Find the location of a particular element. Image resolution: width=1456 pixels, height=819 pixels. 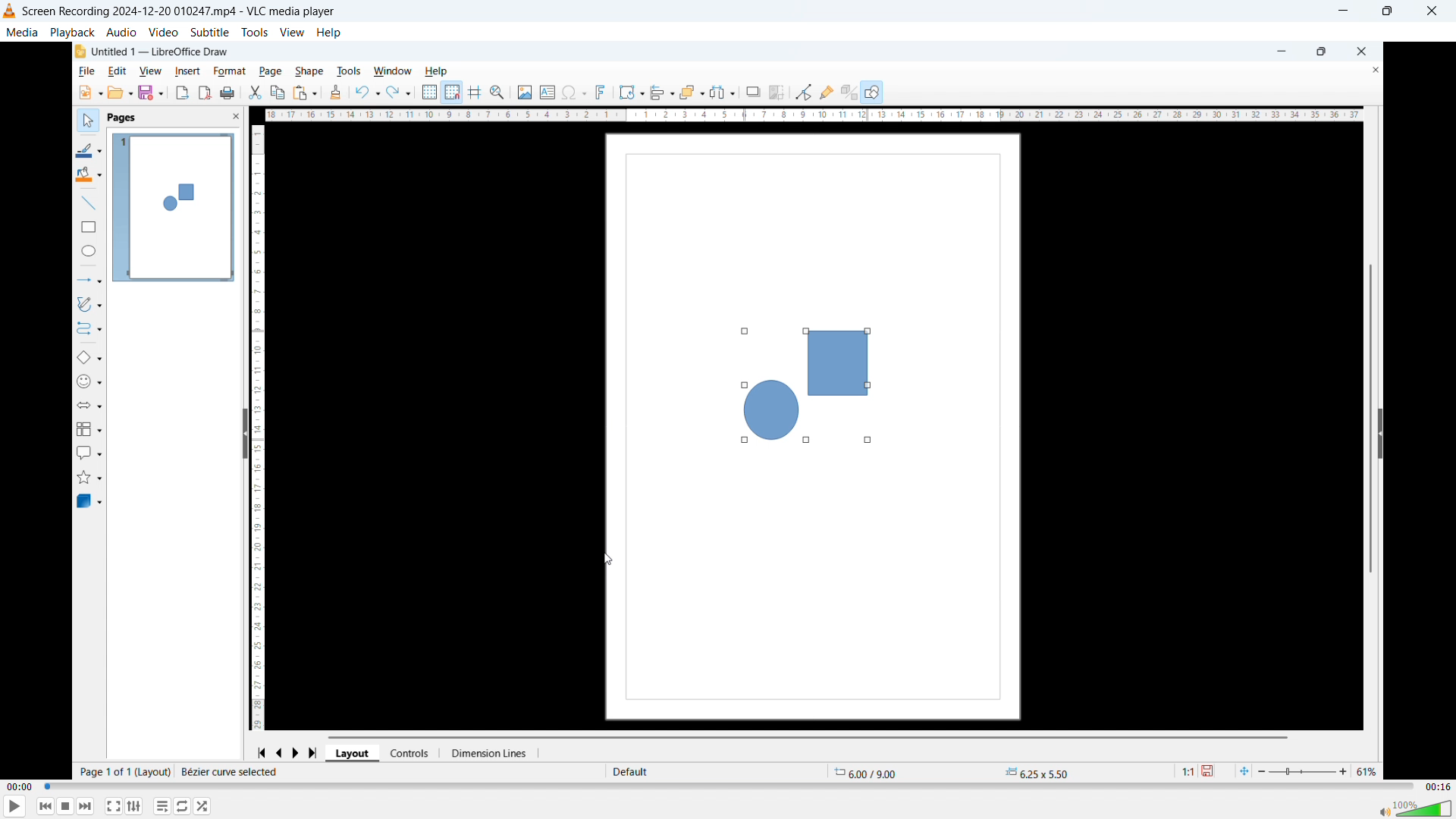

time bar  is located at coordinates (729, 786).